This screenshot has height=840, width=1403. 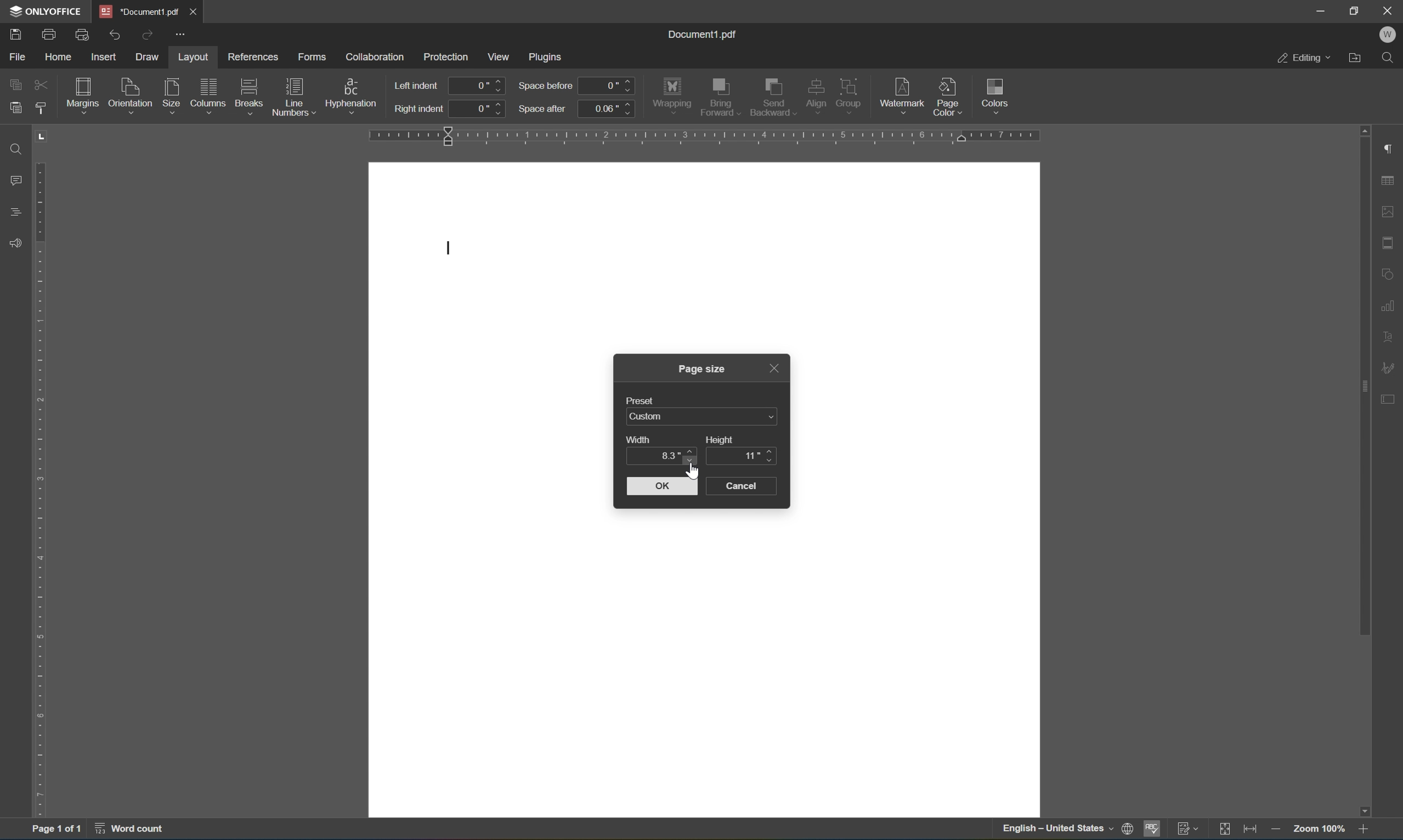 I want to click on right indent, so click(x=418, y=110).